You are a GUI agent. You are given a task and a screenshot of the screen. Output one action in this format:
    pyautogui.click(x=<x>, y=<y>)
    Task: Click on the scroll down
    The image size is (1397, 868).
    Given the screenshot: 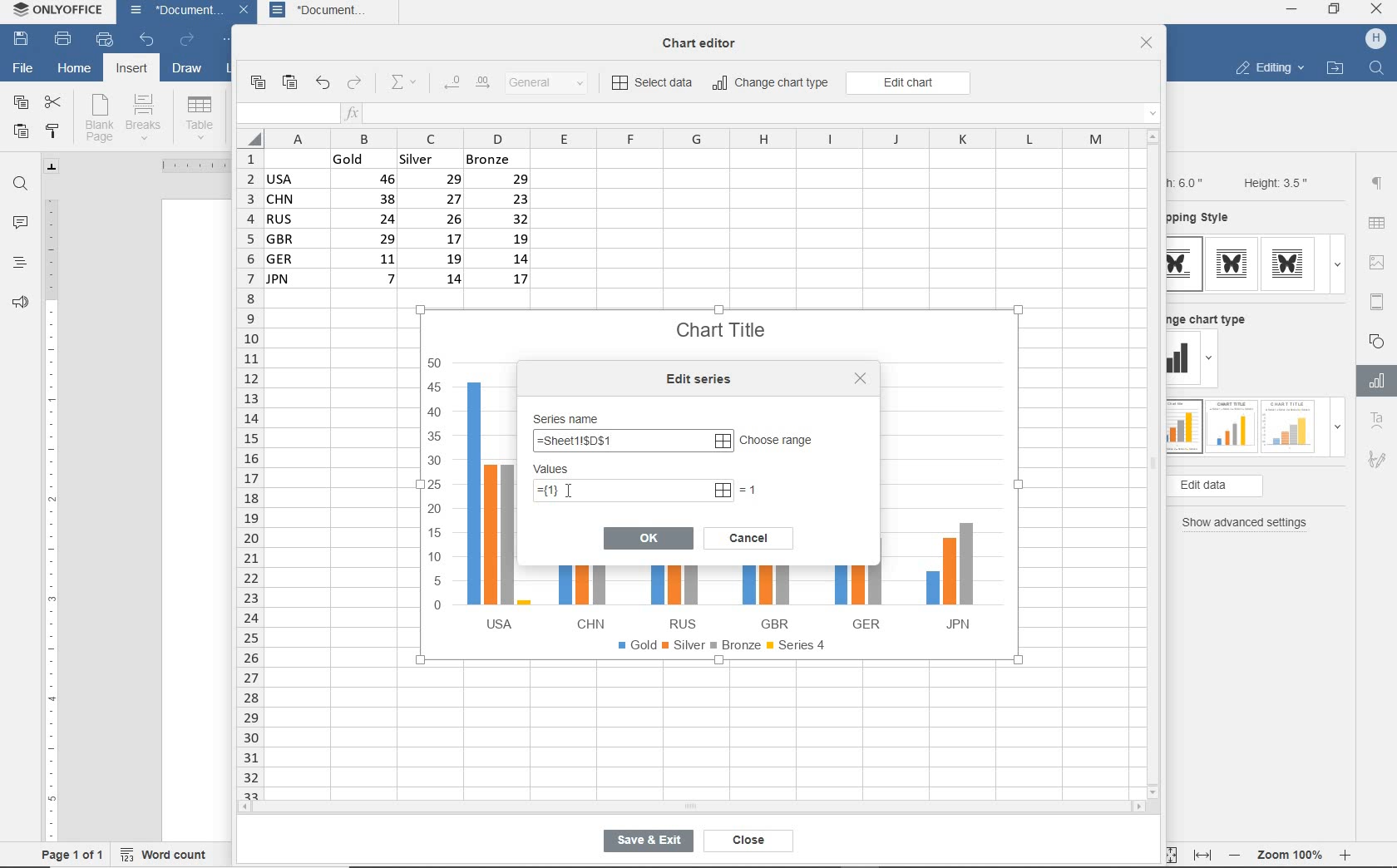 What is the action you would take?
    pyautogui.click(x=1154, y=791)
    